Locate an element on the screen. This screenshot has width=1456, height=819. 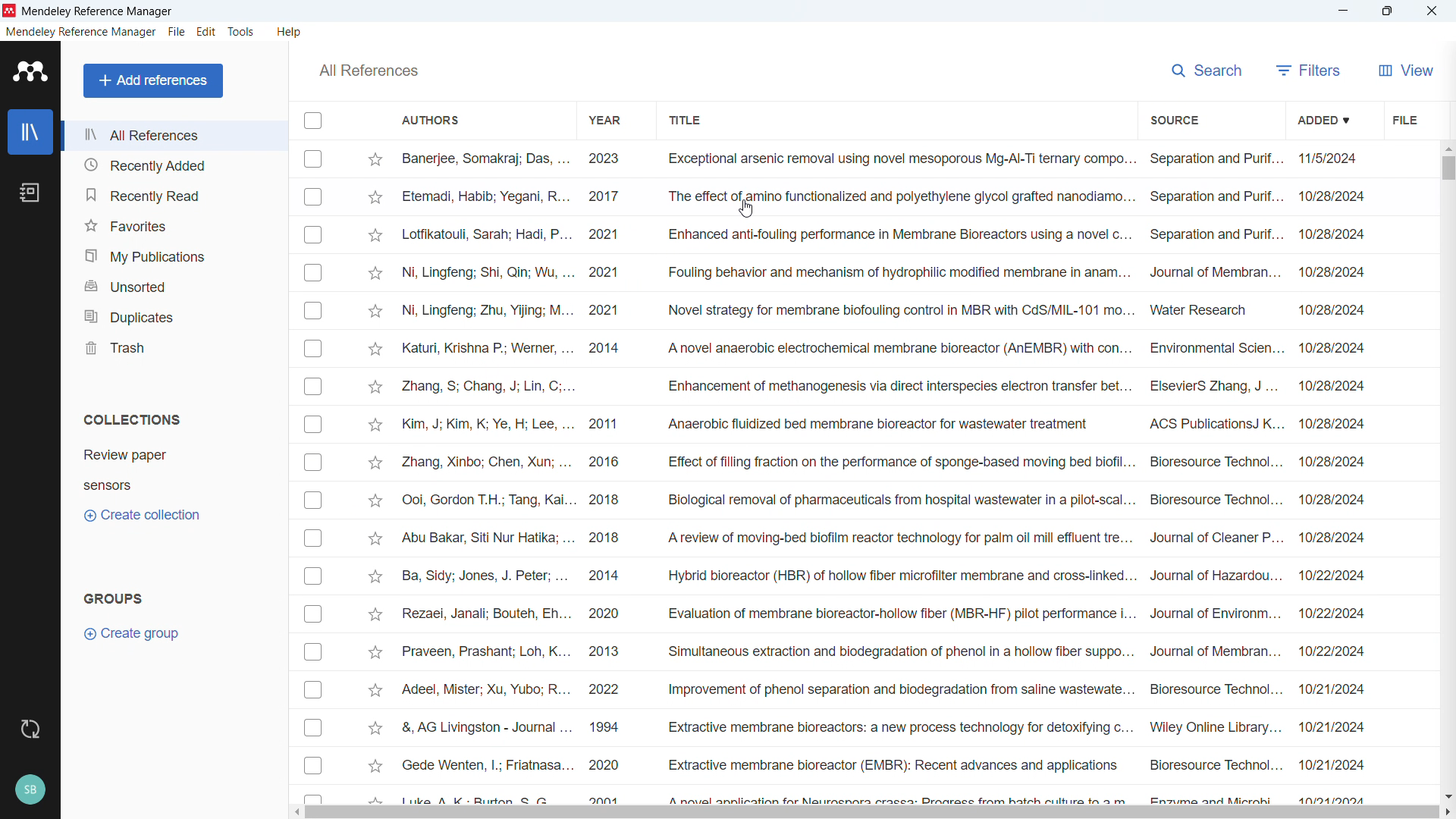
Starmark individual entries  is located at coordinates (378, 475).